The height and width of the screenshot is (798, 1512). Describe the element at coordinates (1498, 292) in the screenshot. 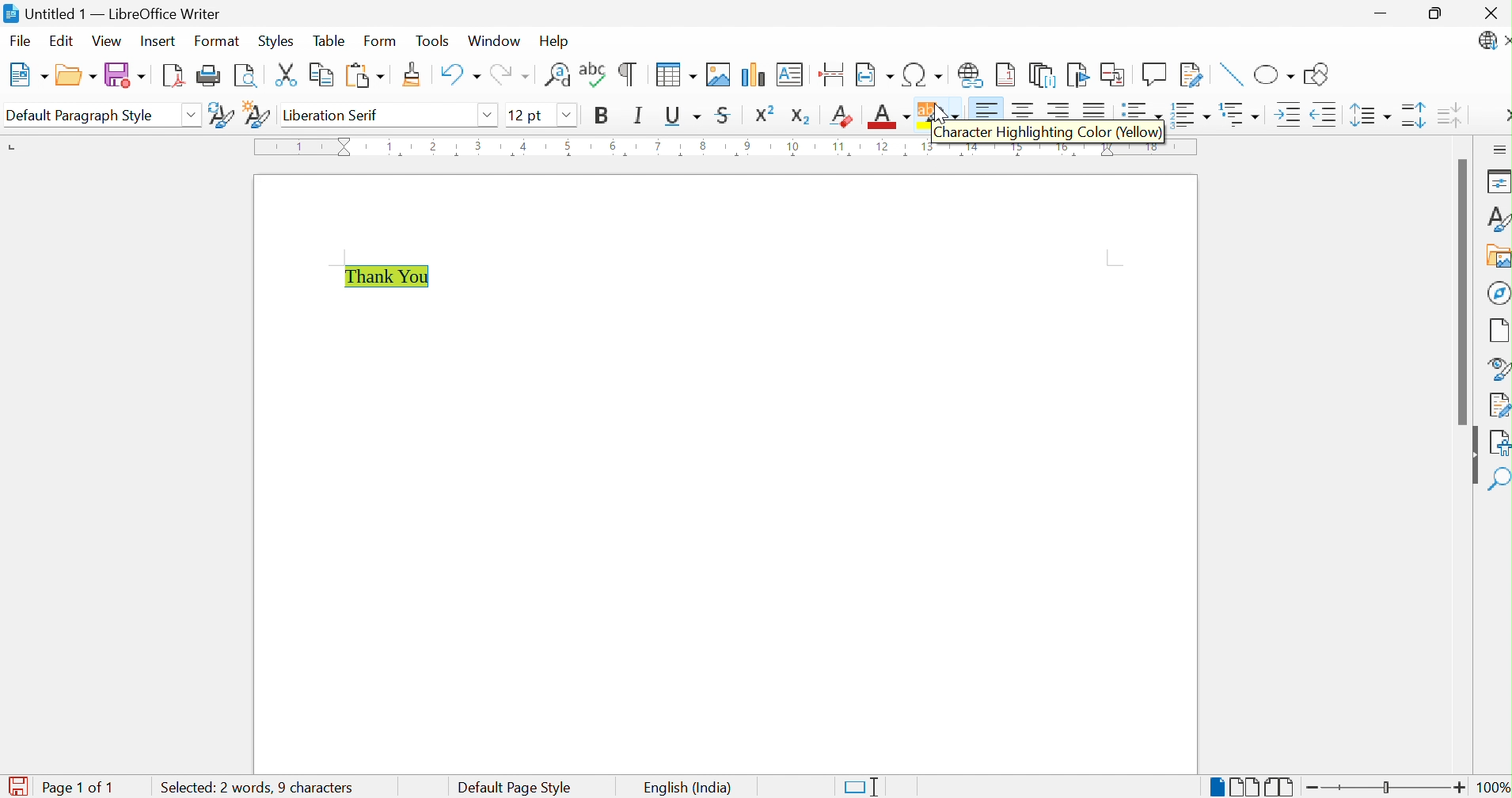

I see `Navigator` at that location.